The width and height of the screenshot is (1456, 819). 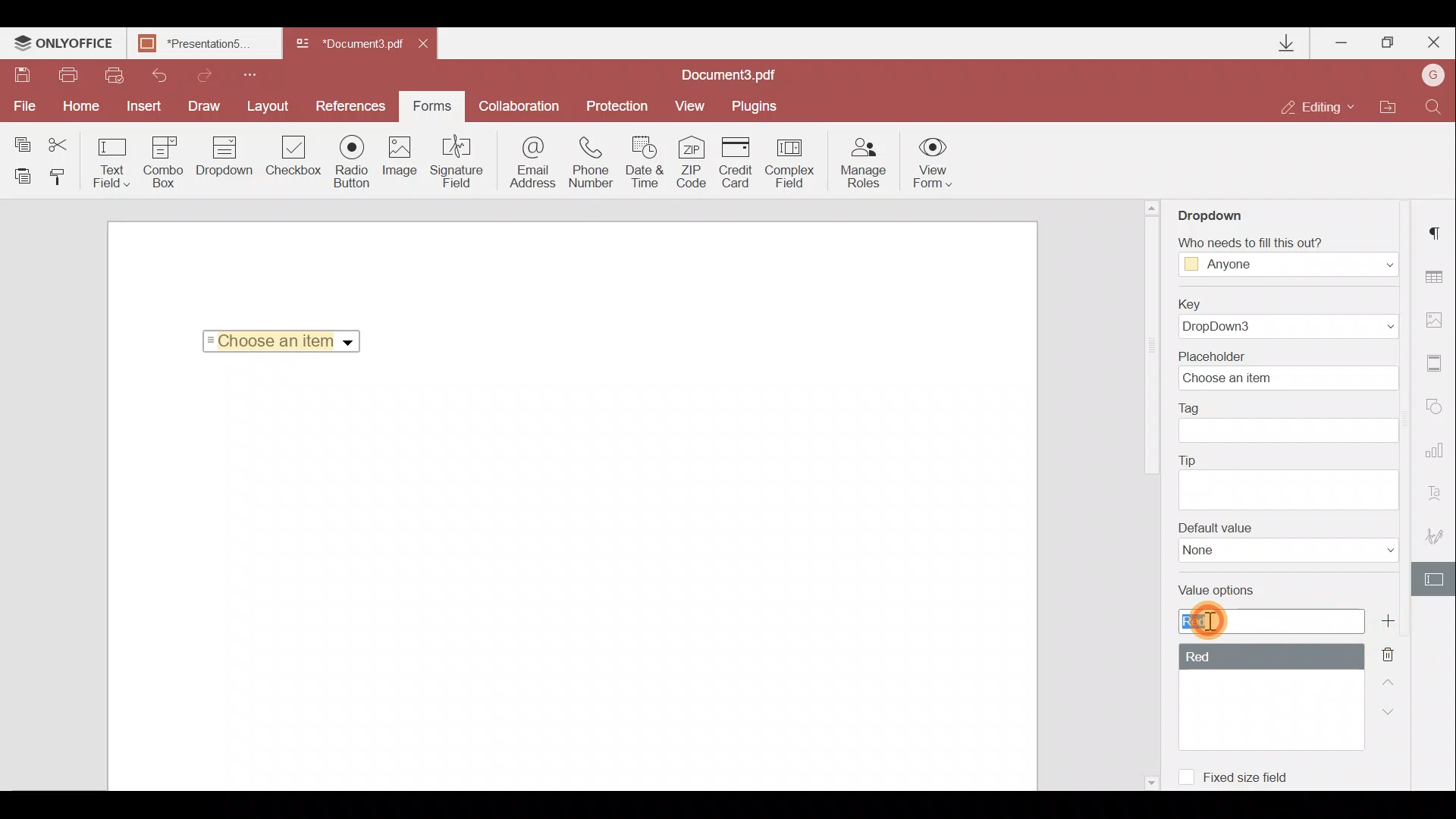 I want to click on Down, so click(x=1385, y=711).